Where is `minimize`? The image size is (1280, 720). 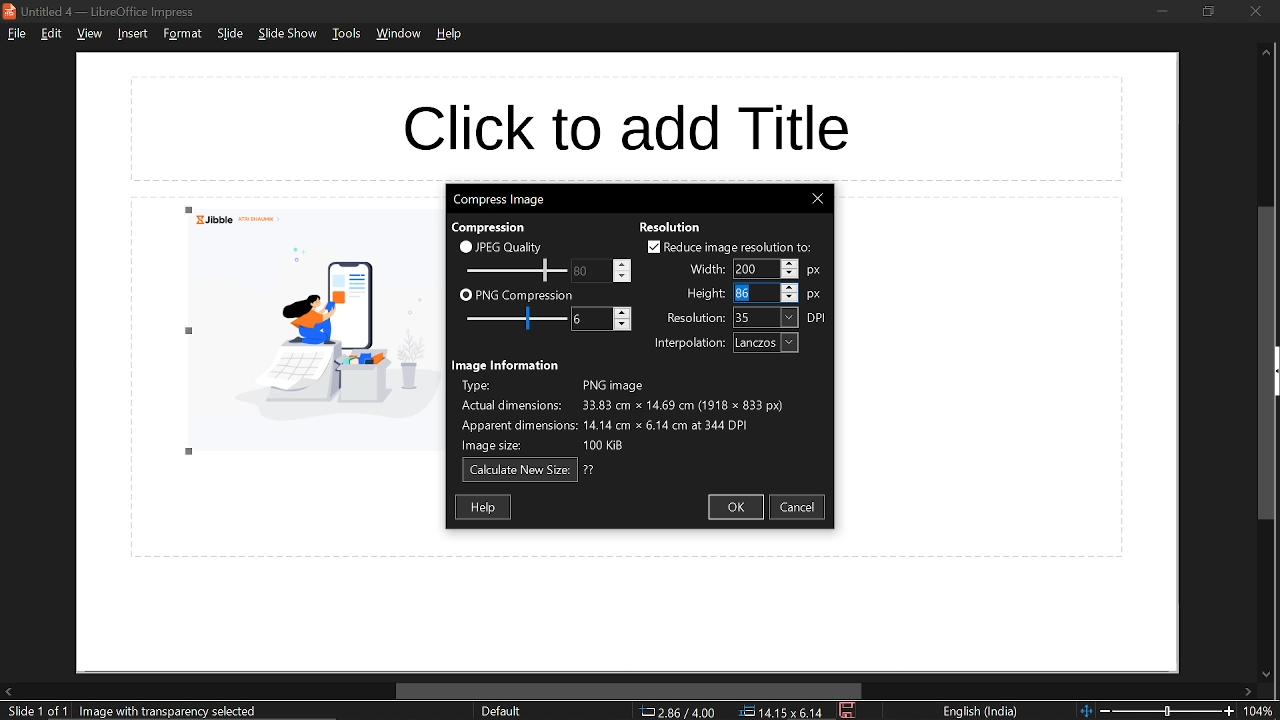 minimize is located at coordinates (1162, 10).